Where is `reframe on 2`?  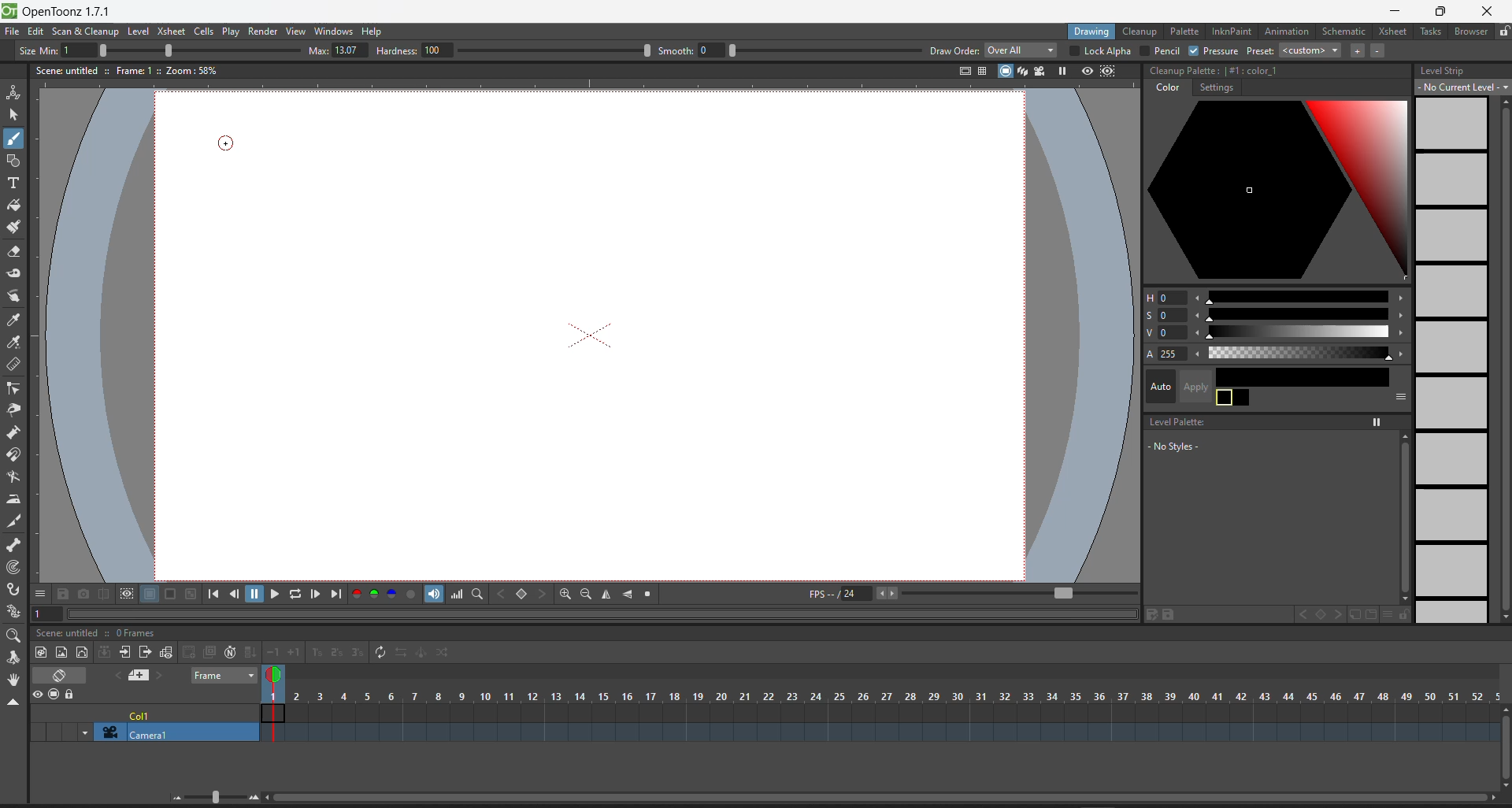 reframe on 2 is located at coordinates (335, 653).